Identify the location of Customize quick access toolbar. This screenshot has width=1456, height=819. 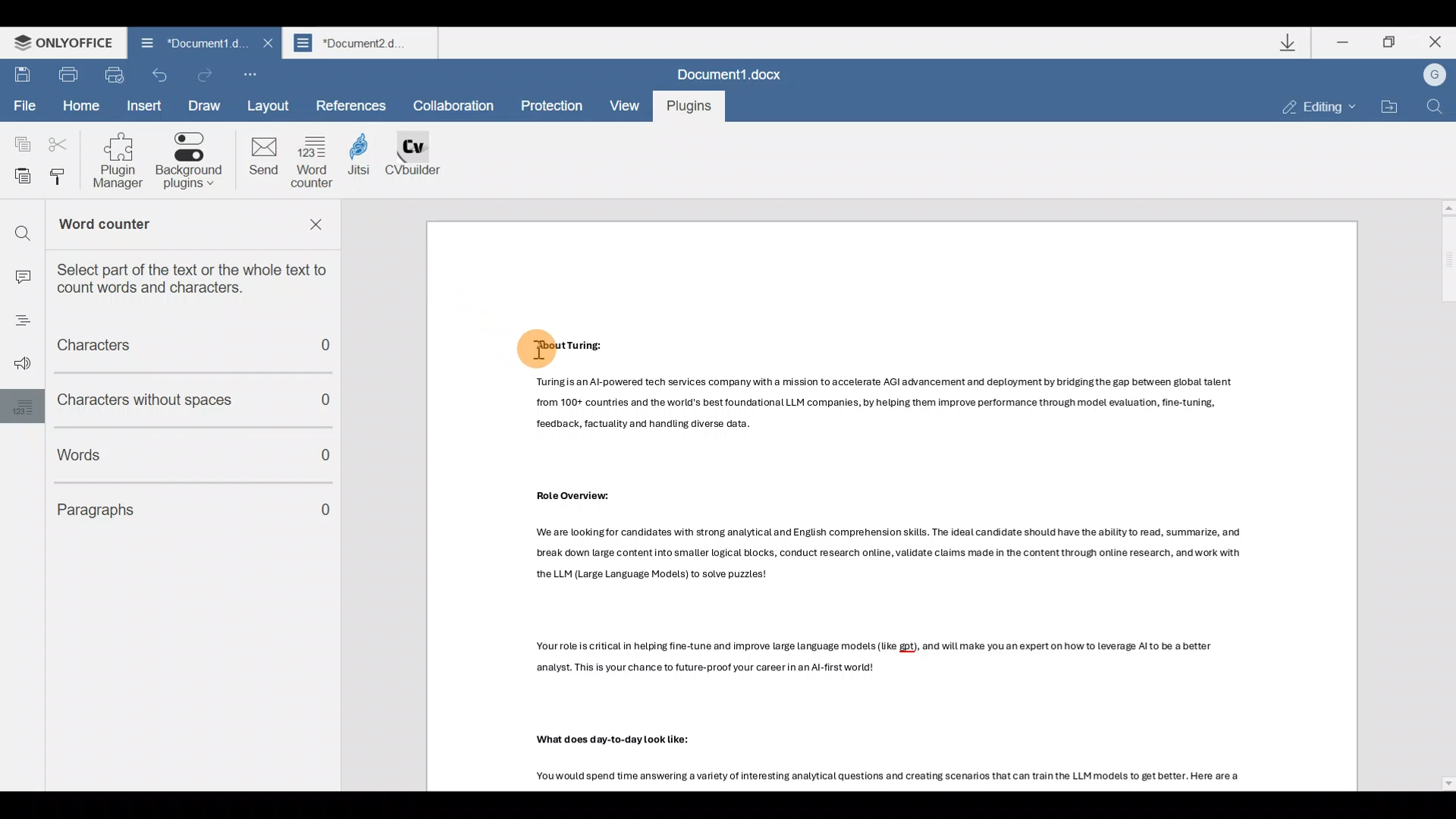
(247, 70).